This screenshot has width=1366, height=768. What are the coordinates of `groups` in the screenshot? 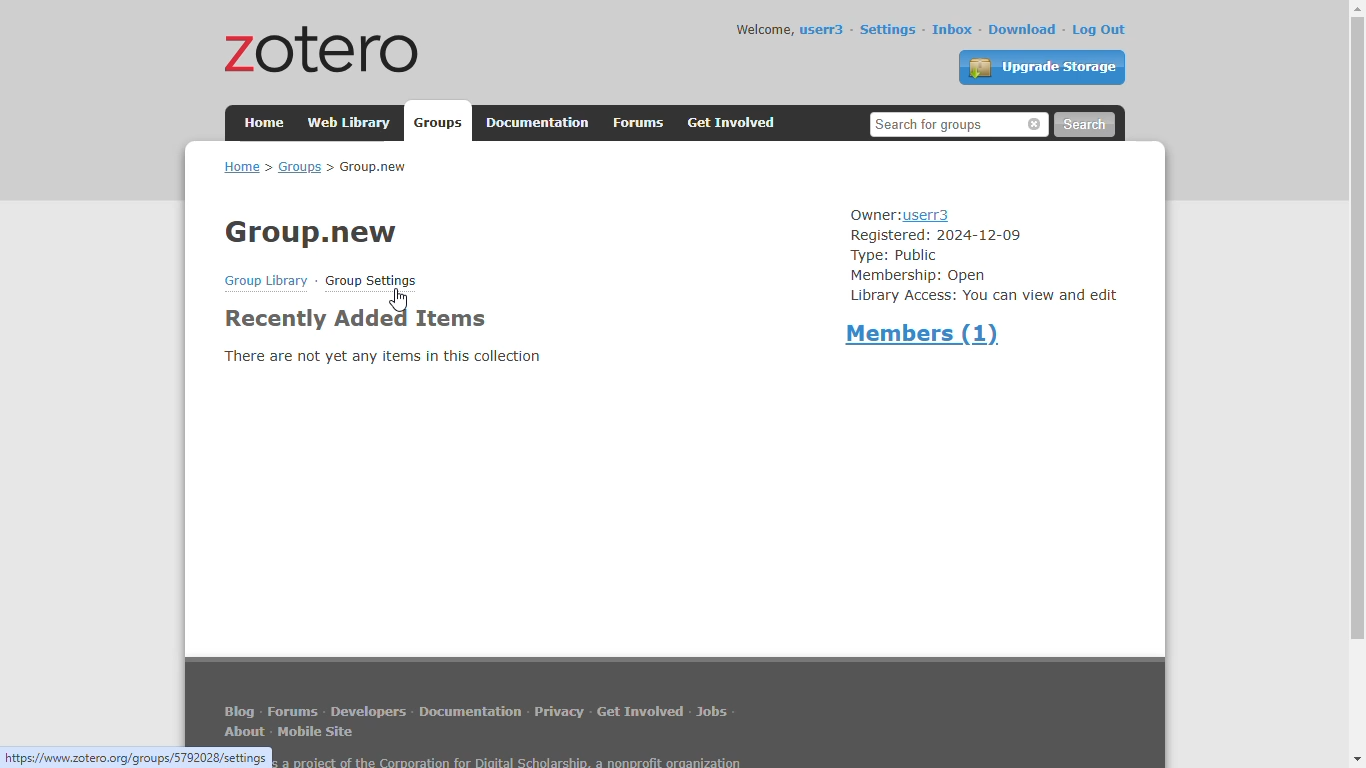 It's located at (440, 123).